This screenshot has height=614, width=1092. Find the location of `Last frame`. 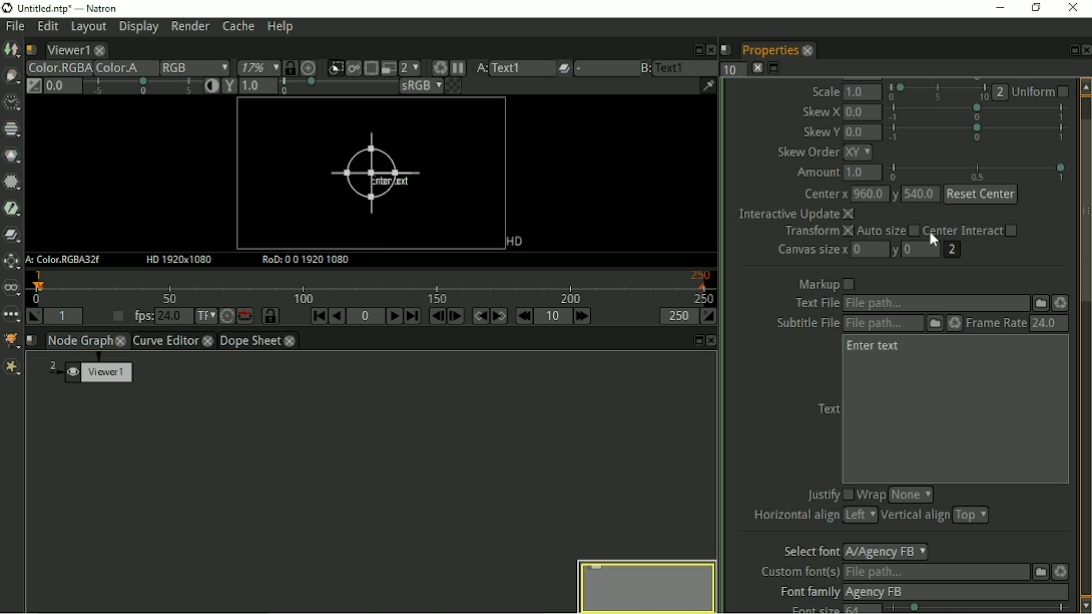

Last frame is located at coordinates (412, 316).